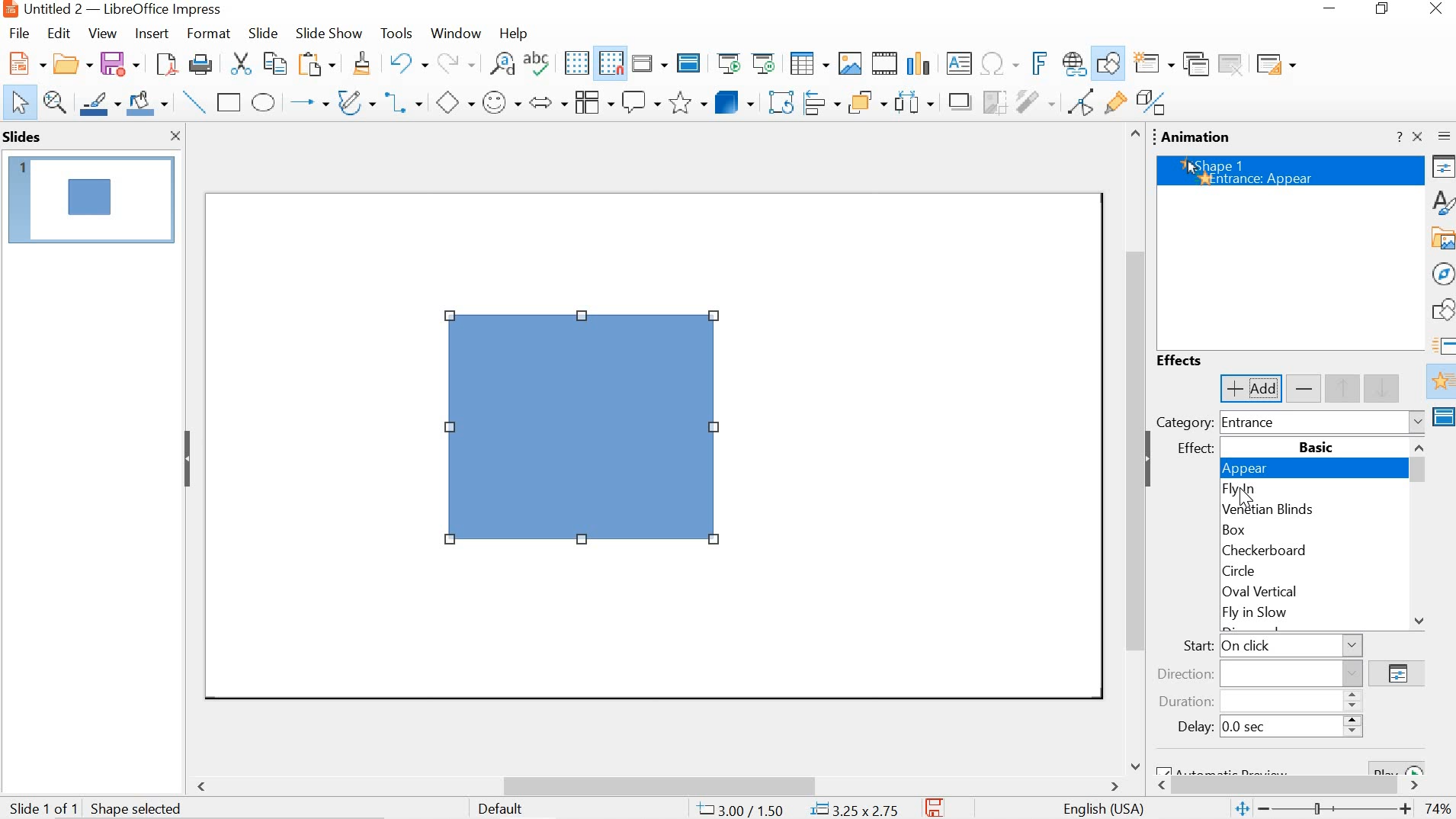  What do you see at coordinates (508, 811) in the screenshot?
I see `default` at bounding box center [508, 811].